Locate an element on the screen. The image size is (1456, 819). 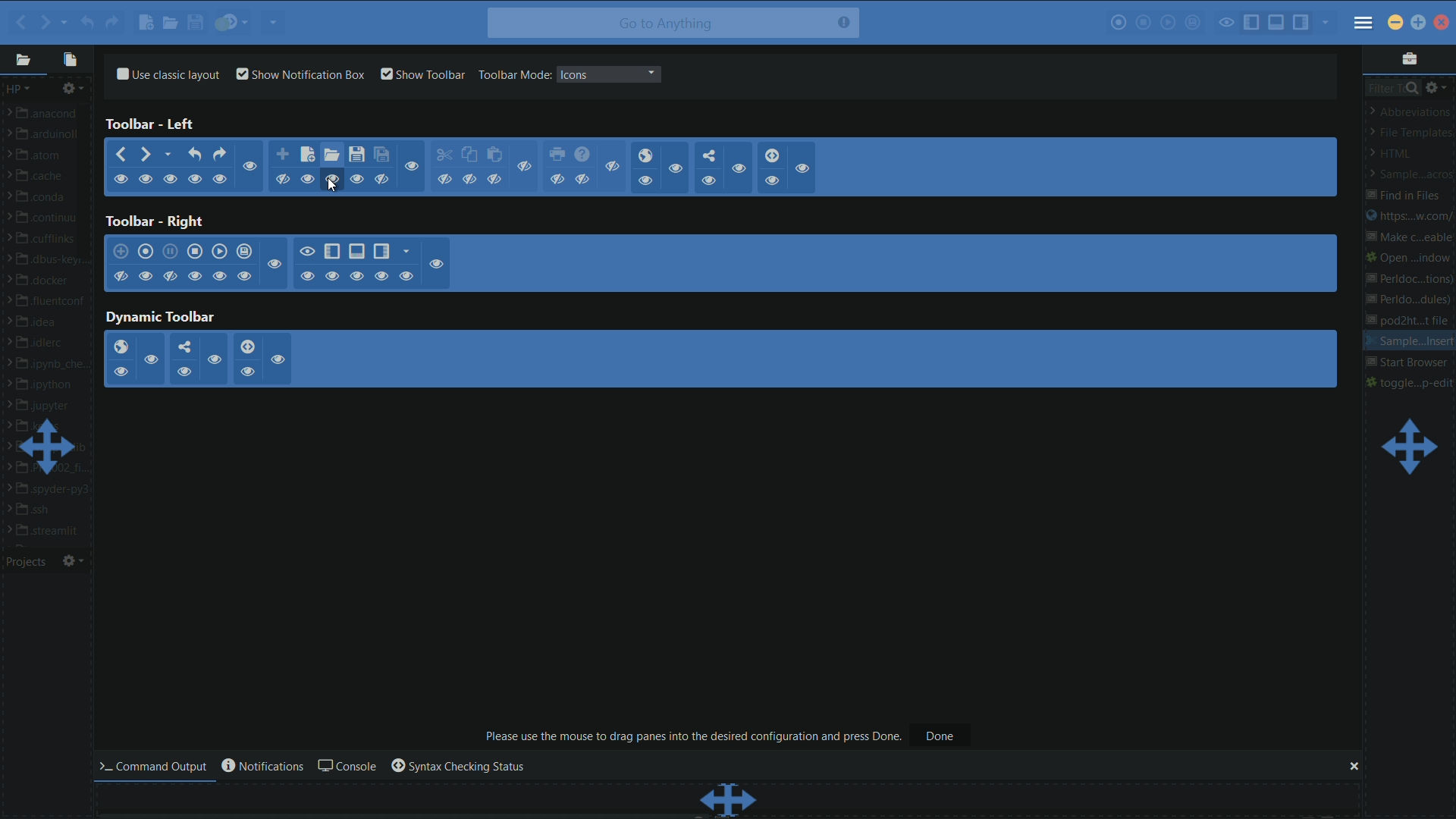
copy is located at coordinates (469, 155).